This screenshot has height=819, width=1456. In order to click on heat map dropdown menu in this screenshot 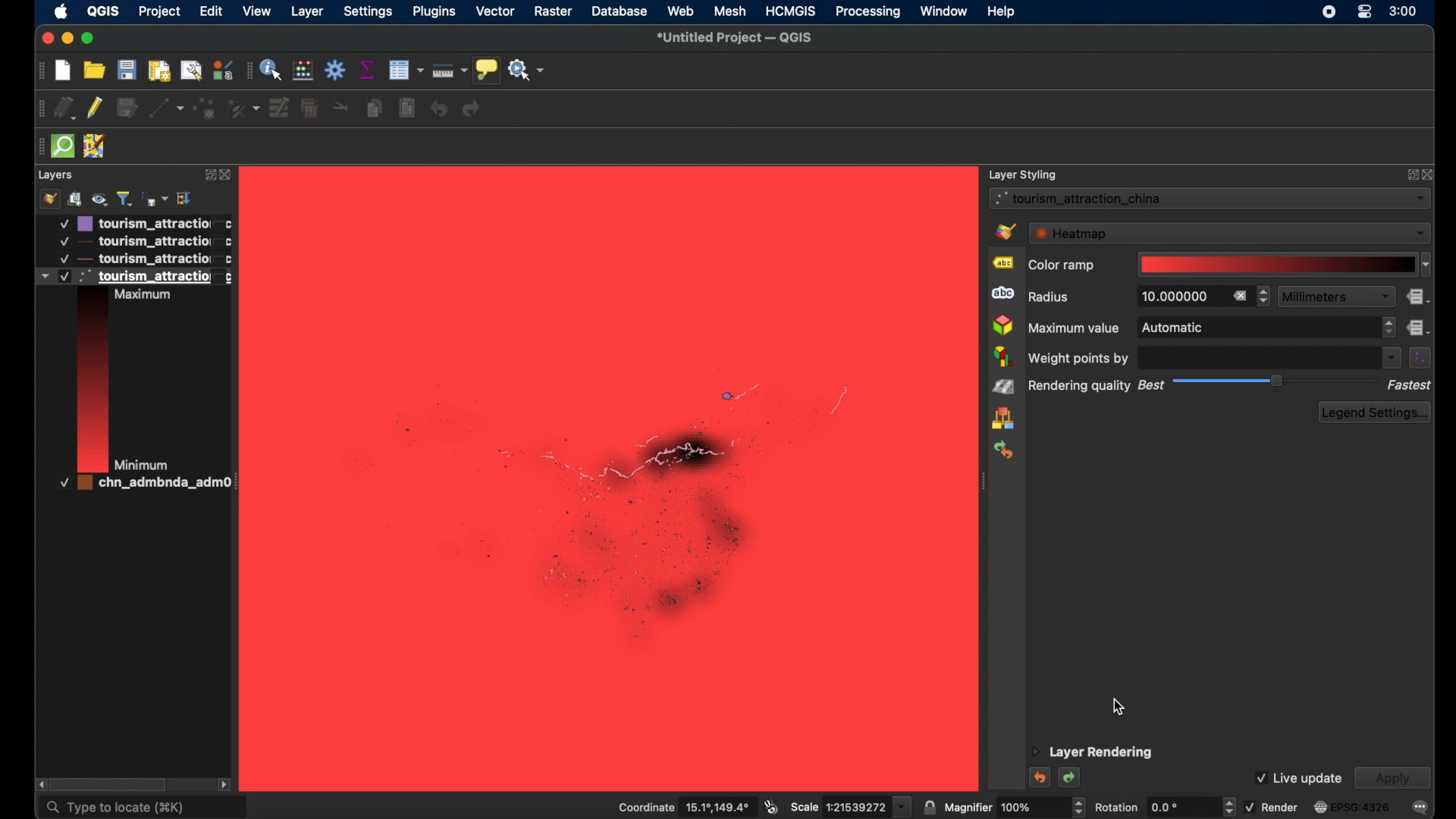, I will do `click(1229, 233)`.